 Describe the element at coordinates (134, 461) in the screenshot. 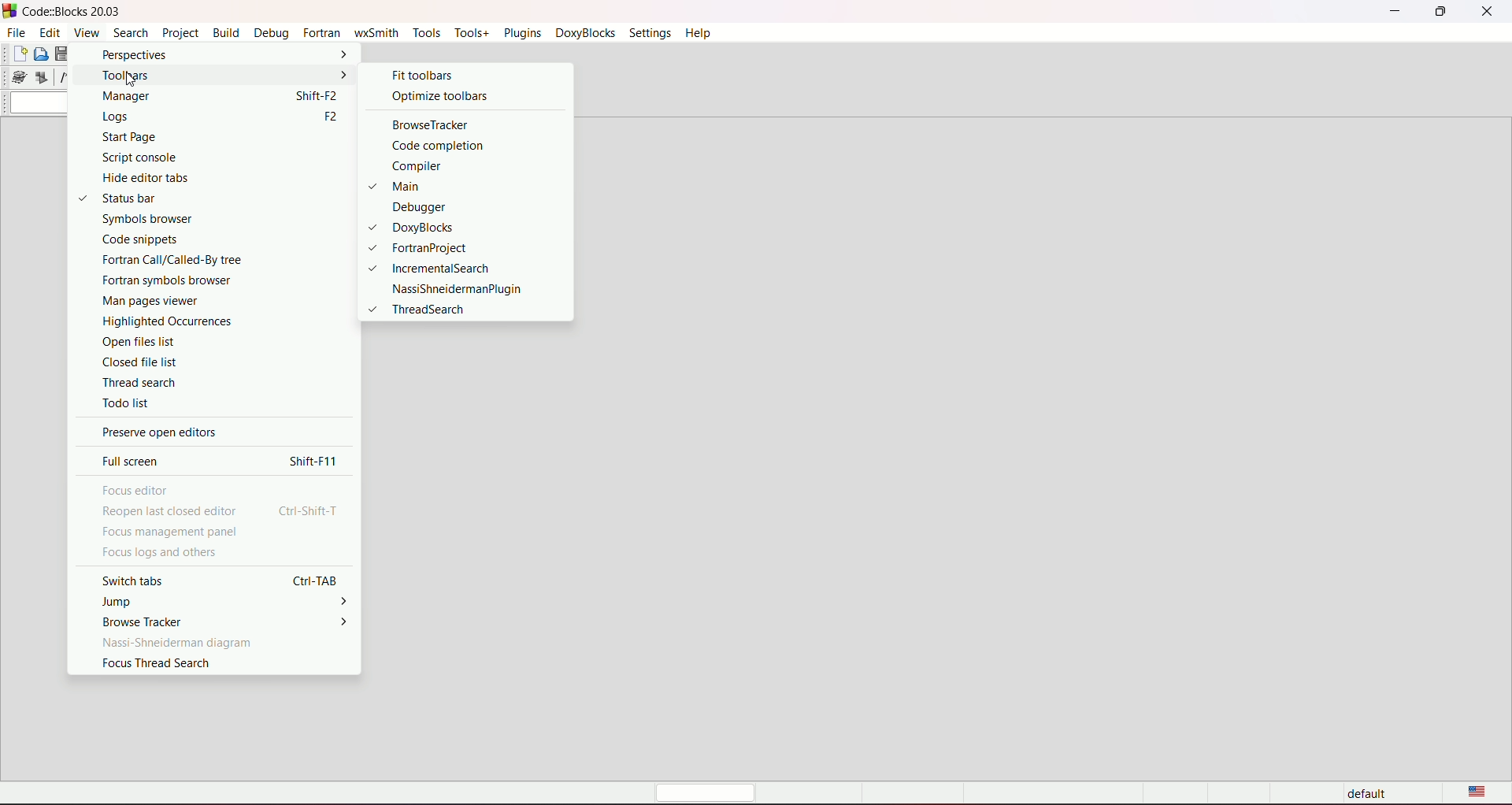

I see `full screen` at that location.